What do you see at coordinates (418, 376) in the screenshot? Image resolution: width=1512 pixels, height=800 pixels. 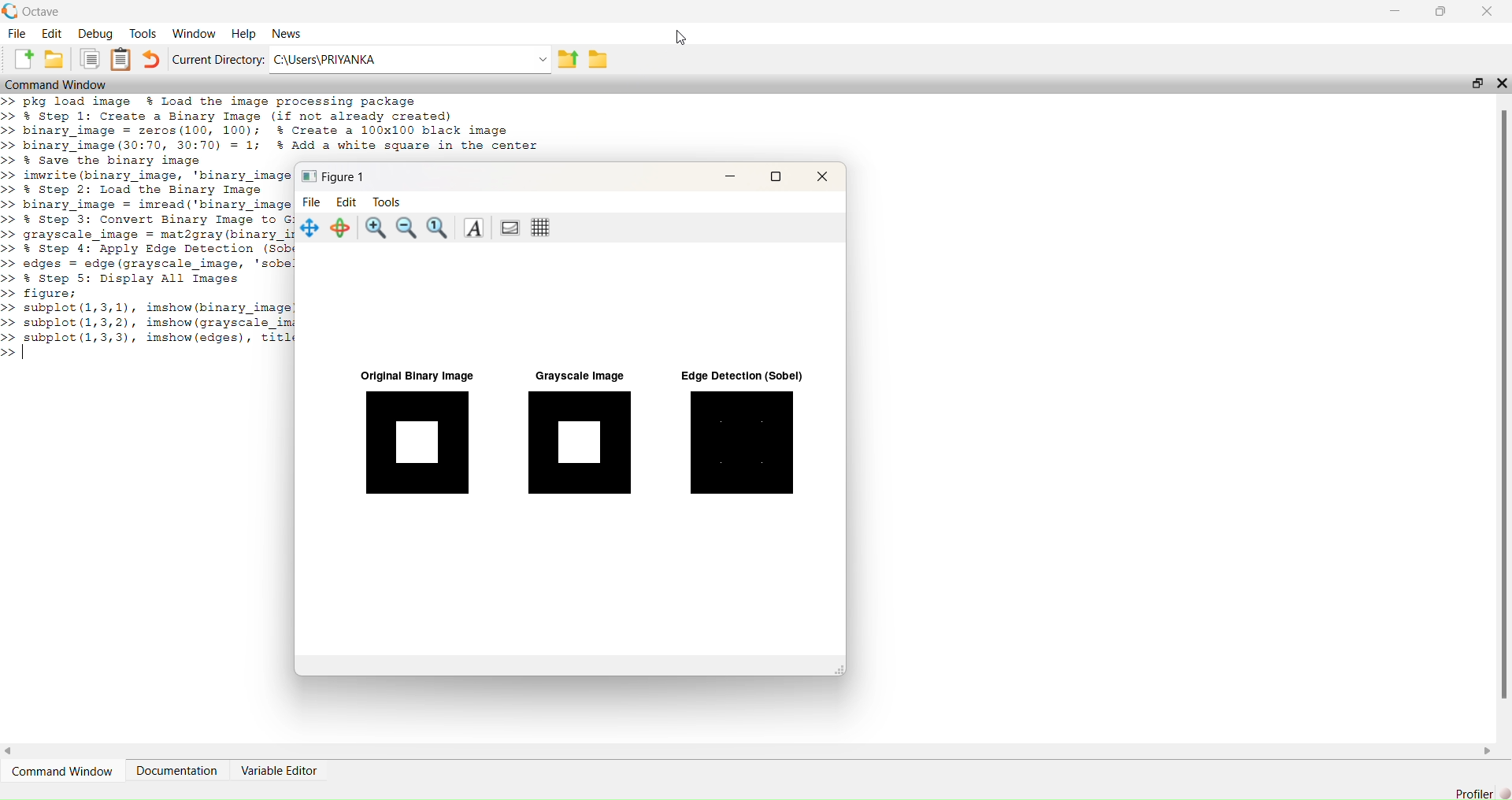 I see `Original Binary Image` at bounding box center [418, 376].